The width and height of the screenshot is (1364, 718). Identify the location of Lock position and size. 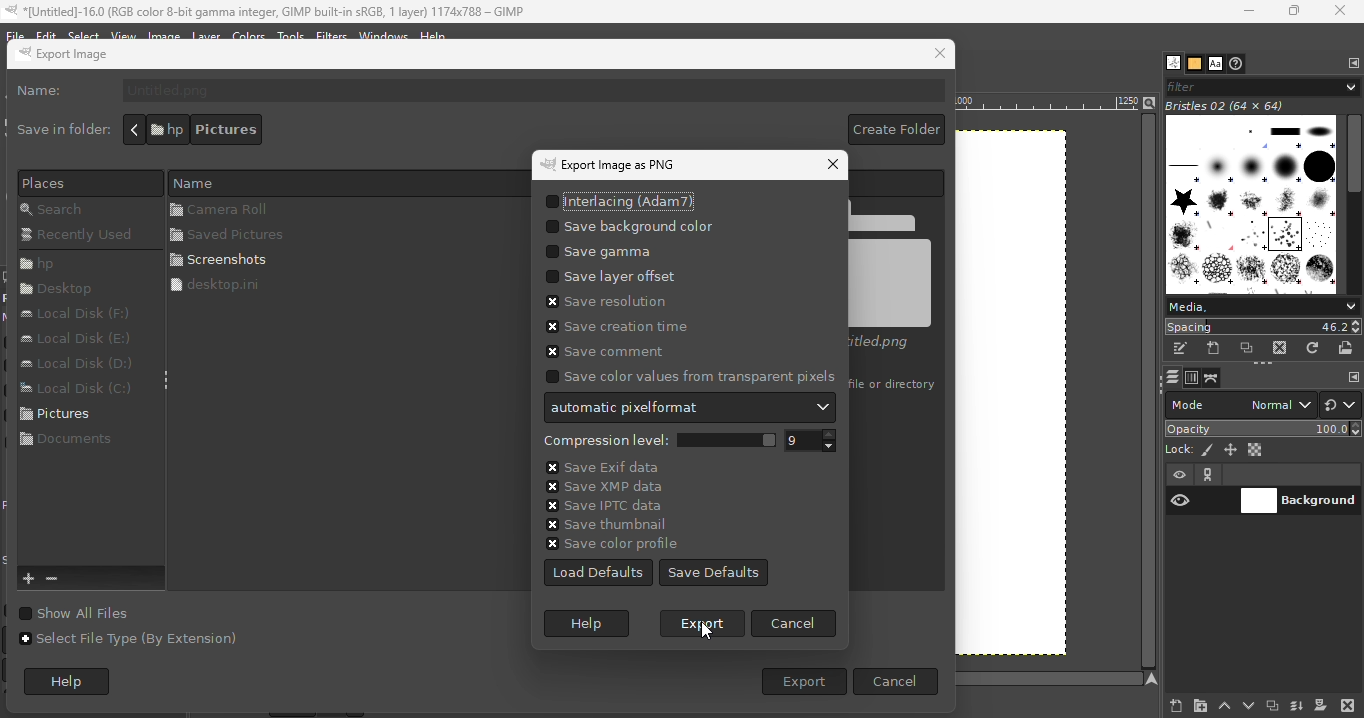
(1231, 449).